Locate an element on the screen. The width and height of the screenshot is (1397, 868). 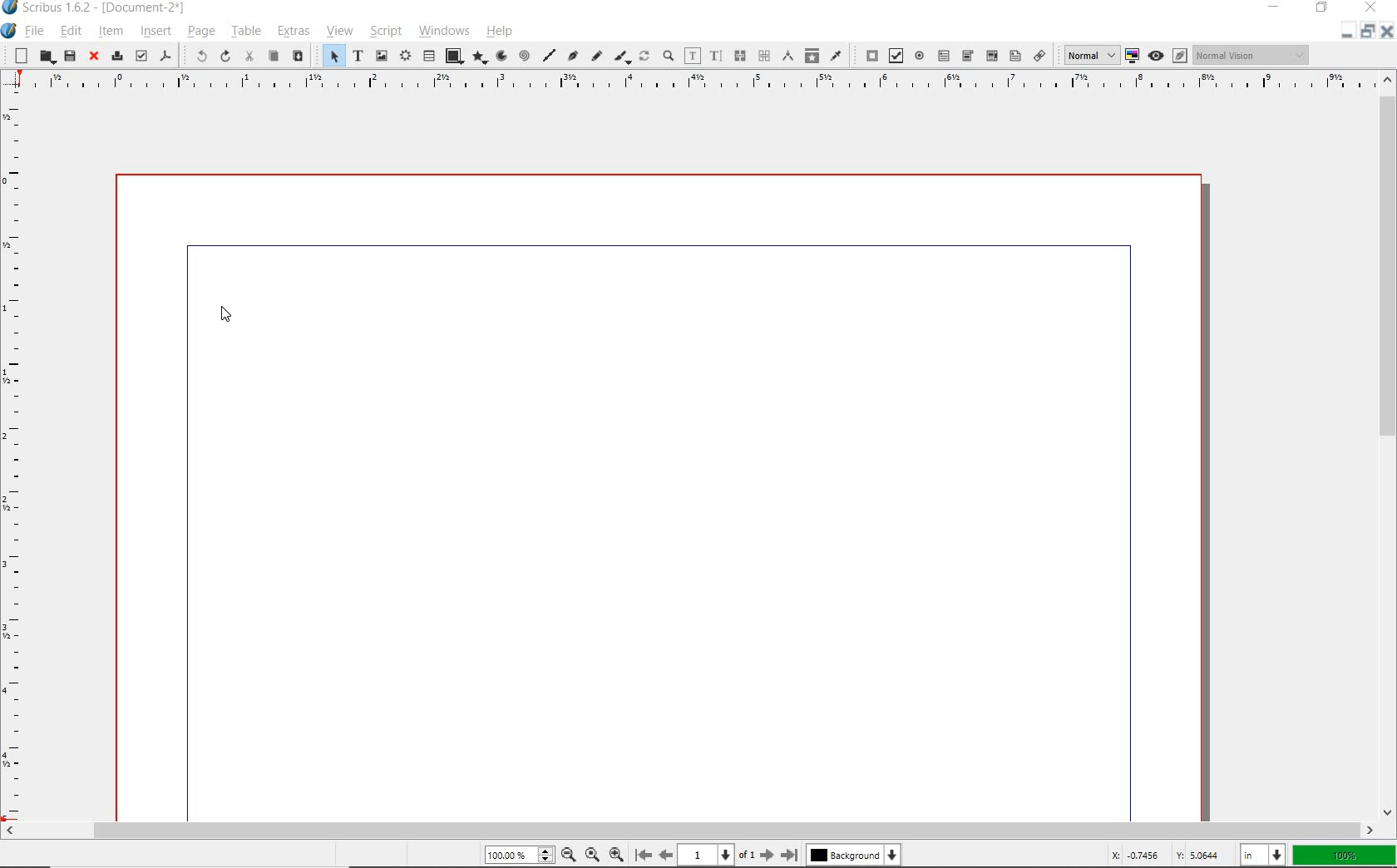
rotate item is located at coordinates (644, 55).